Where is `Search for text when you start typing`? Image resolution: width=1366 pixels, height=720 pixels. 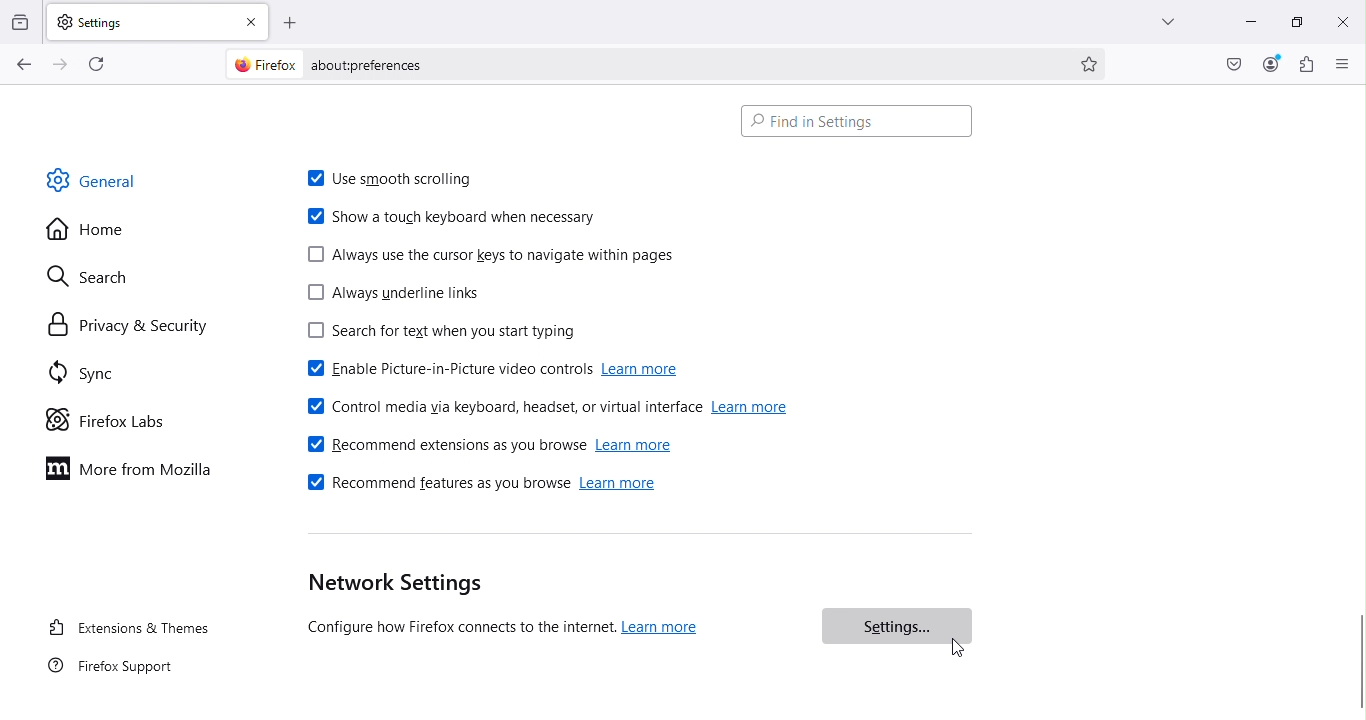
Search for text when you start typing is located at coordinates (450, 332).